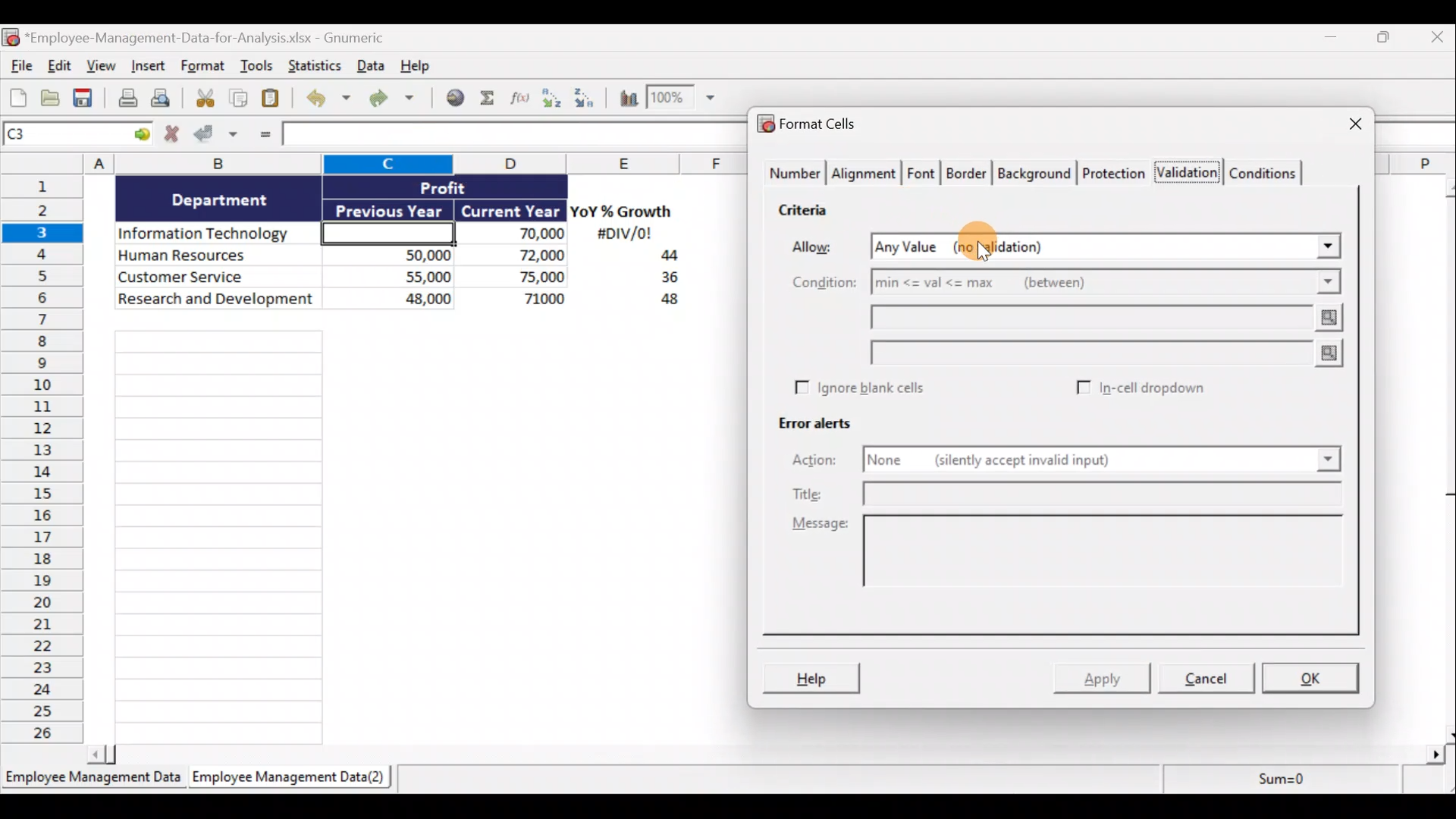 The height and width of the screenshot is (819, 1456). Describe the element at coordinates (204, 99) in the screenshot. I see `Cut selection` at that location.